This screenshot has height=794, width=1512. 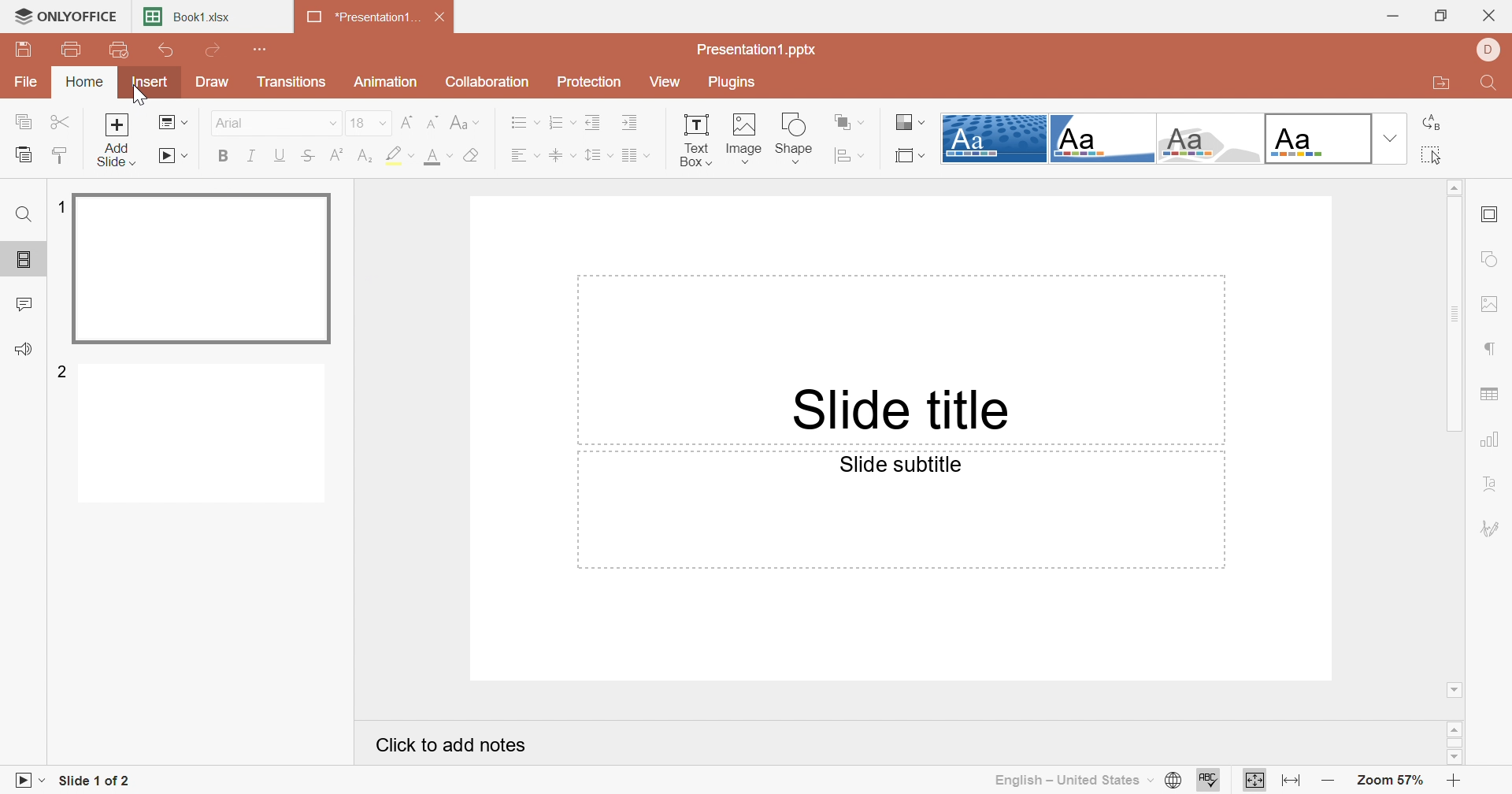 I want to click on Official, so click(x=1319, y=139).